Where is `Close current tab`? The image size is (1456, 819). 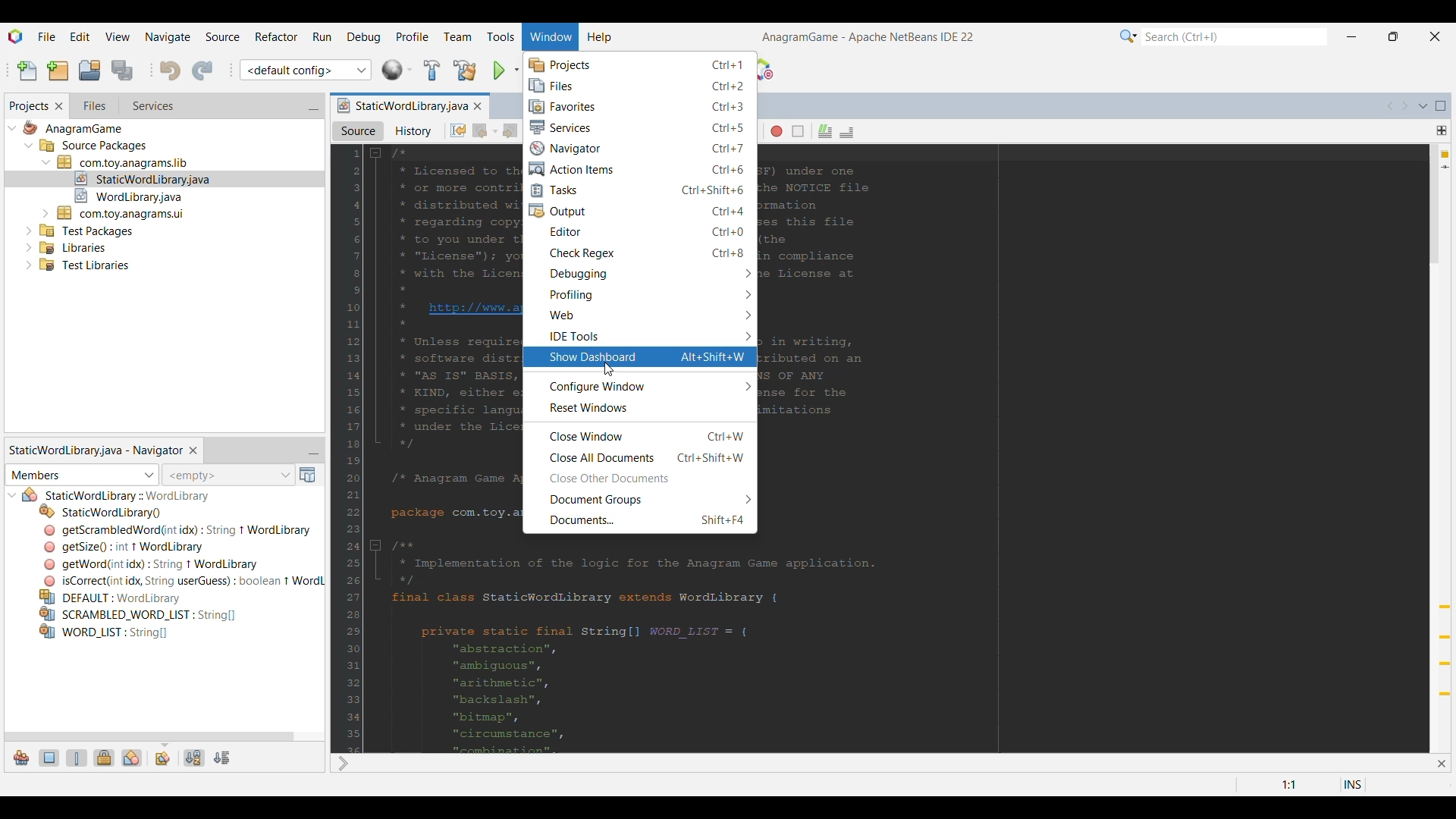
Close current tab is located at coordinates (477, 106).